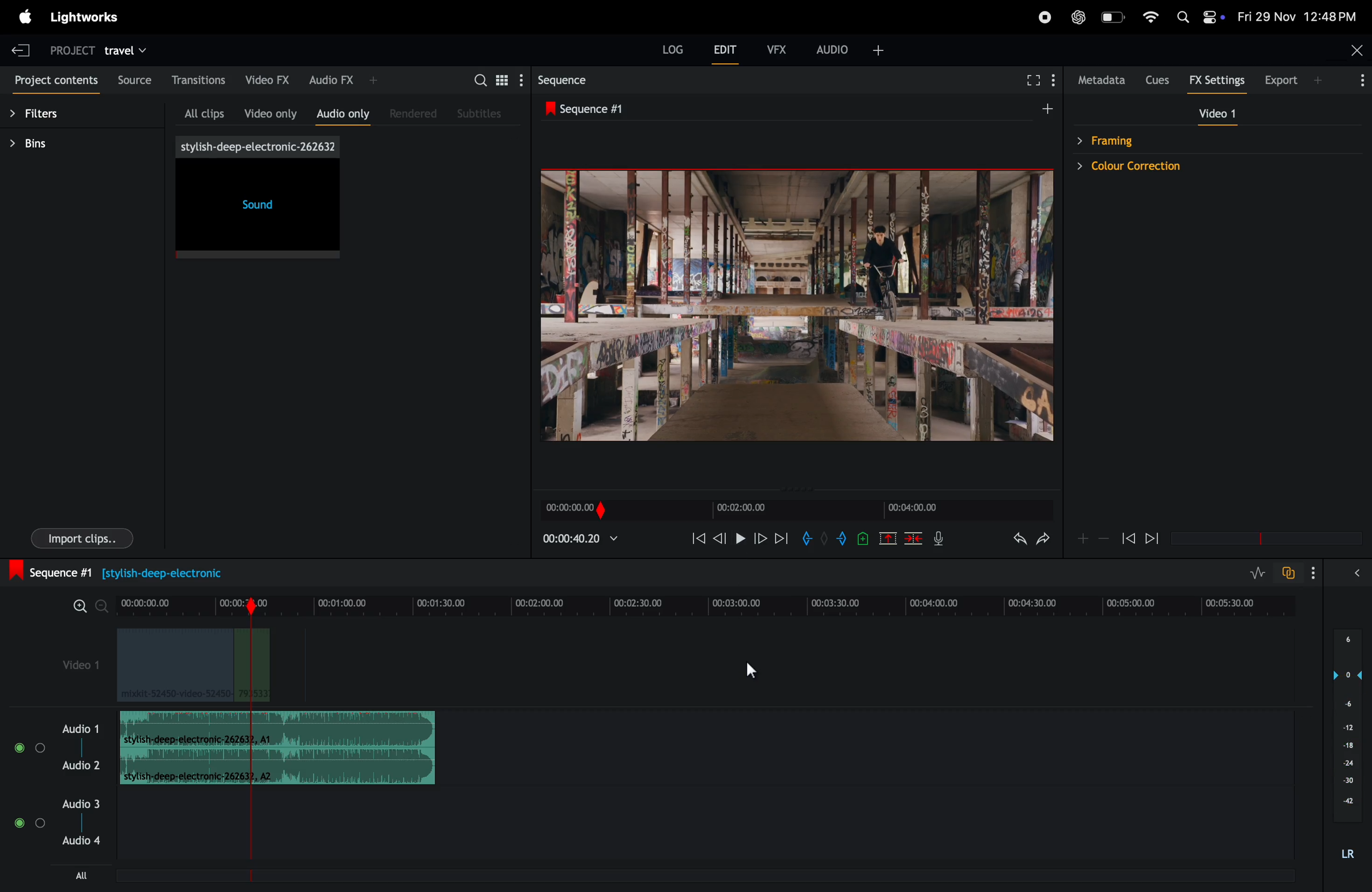  I want to click on audio, so click(81, 803).